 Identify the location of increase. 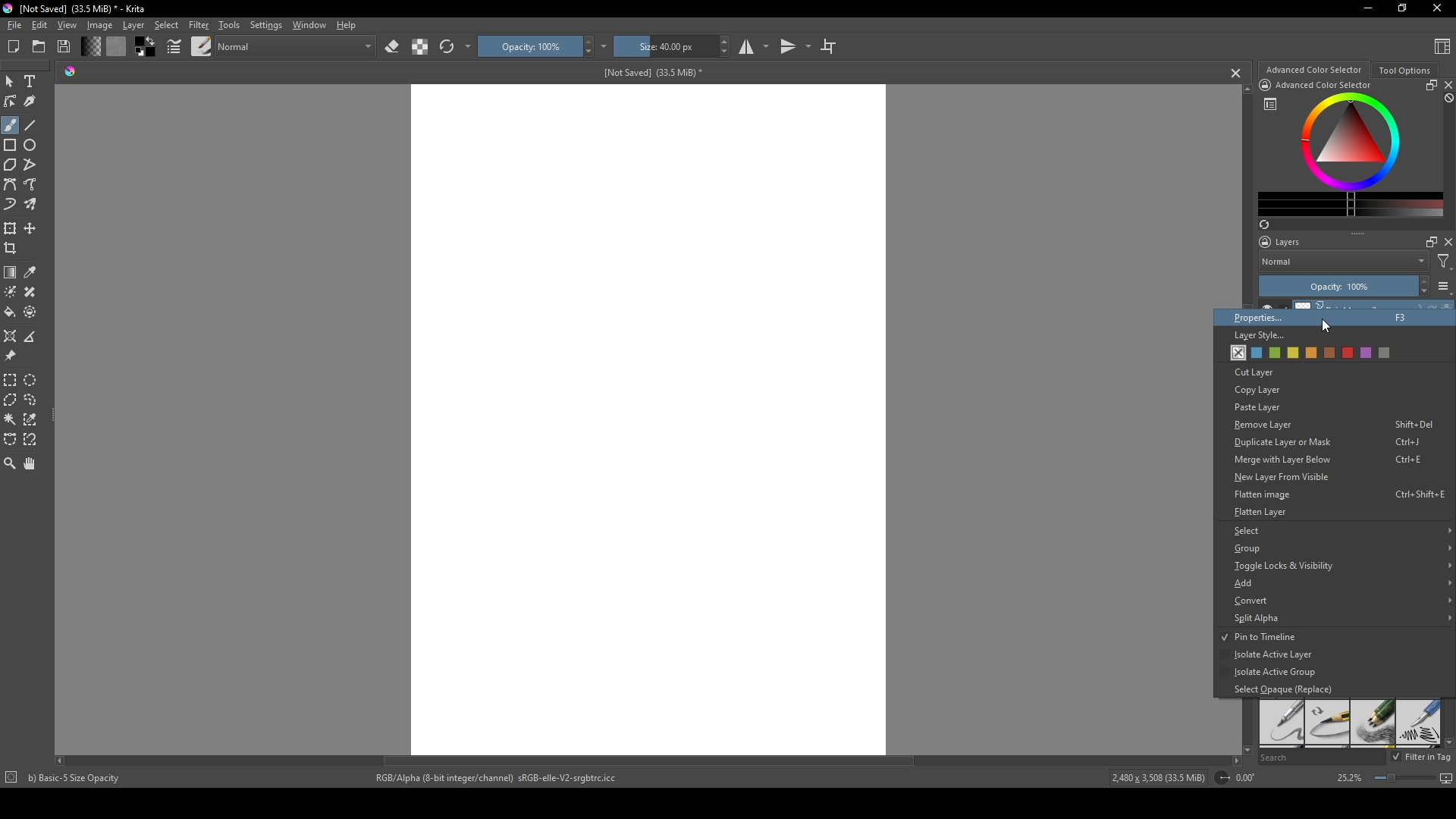
(1423, 281).